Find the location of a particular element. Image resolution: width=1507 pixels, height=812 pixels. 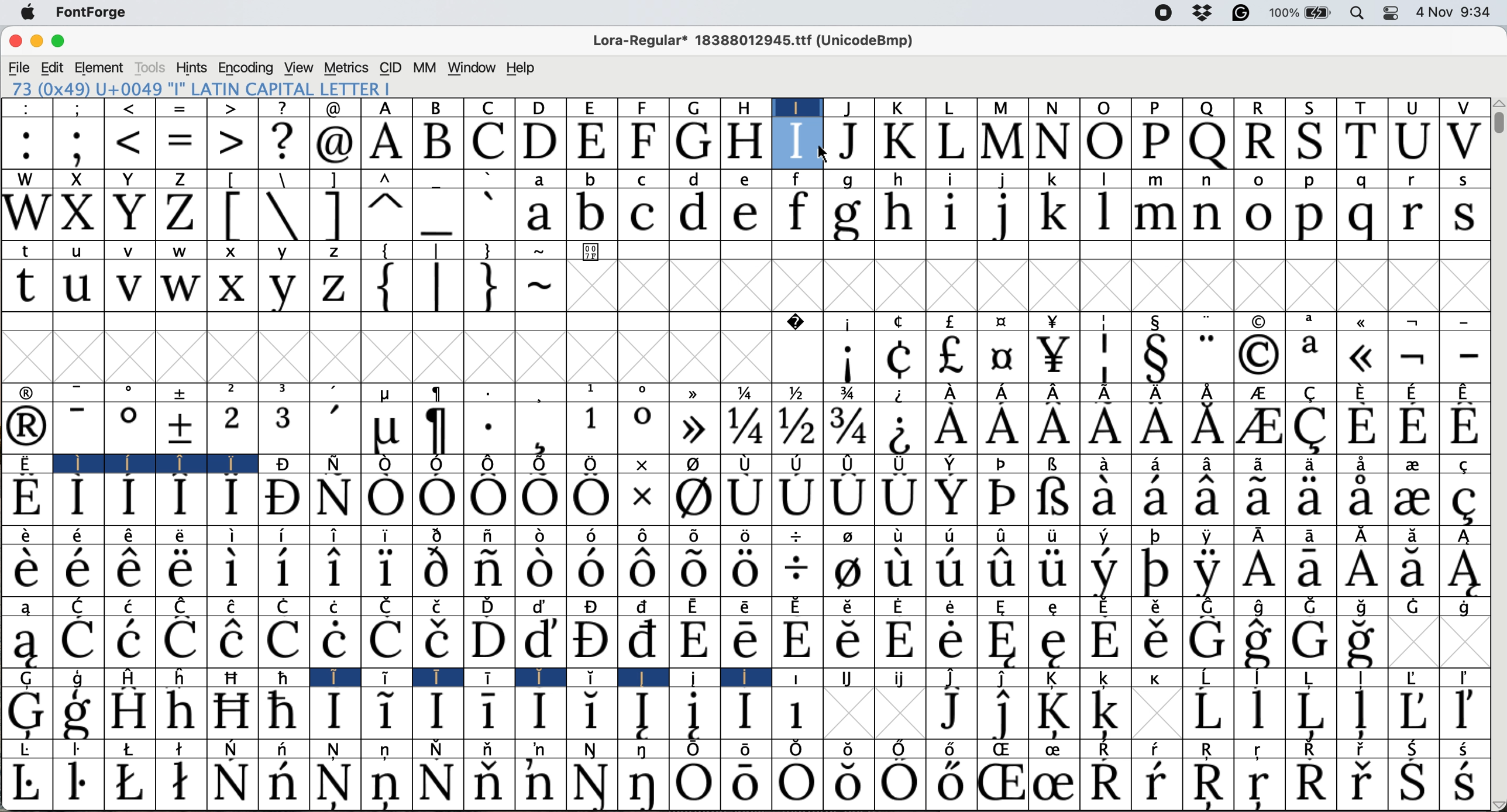

file is located at coordinates (18, 68).